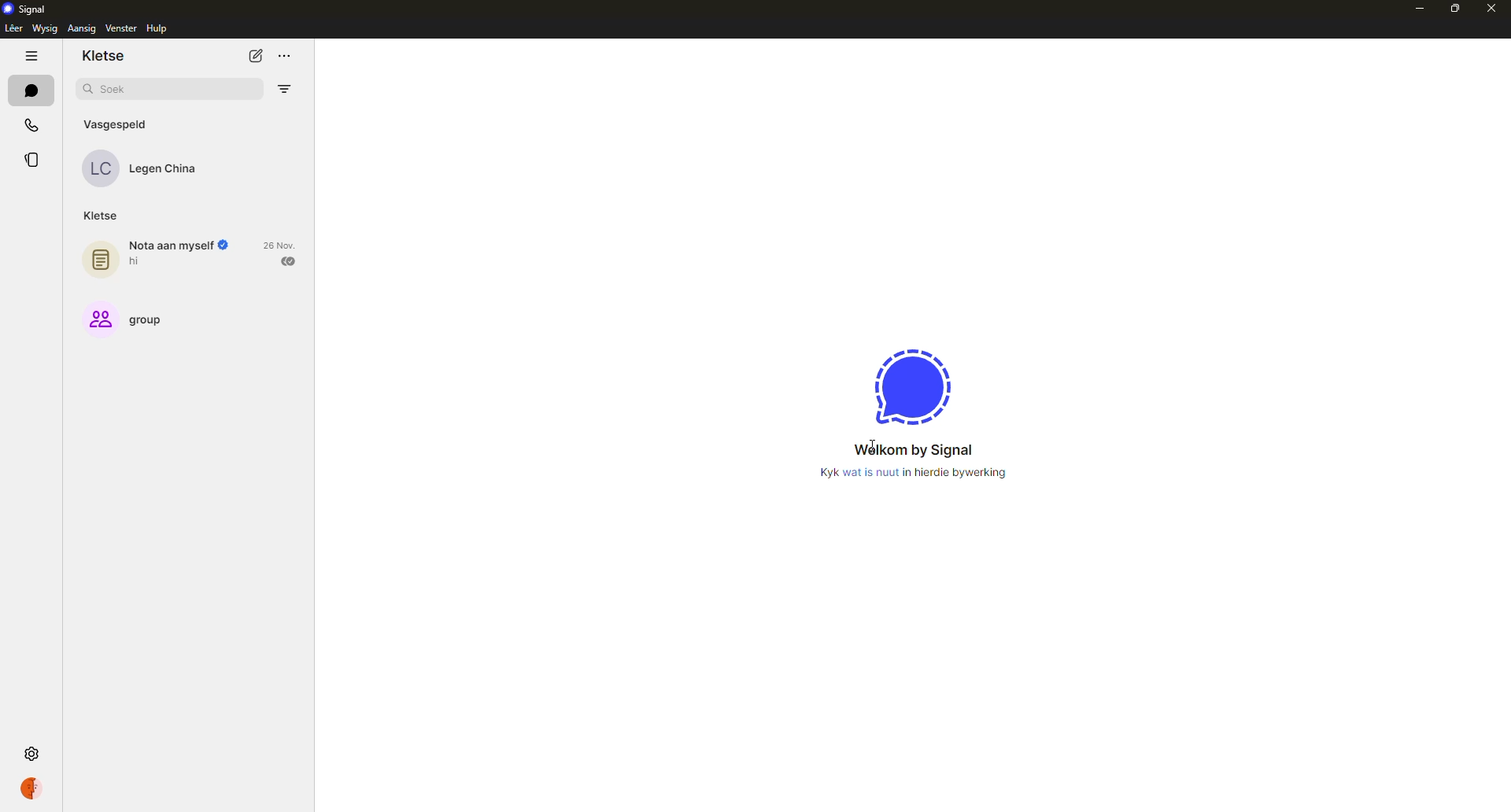  Describe the element at coordinates (281, 244) in the screenshot. I see `date` at that location.